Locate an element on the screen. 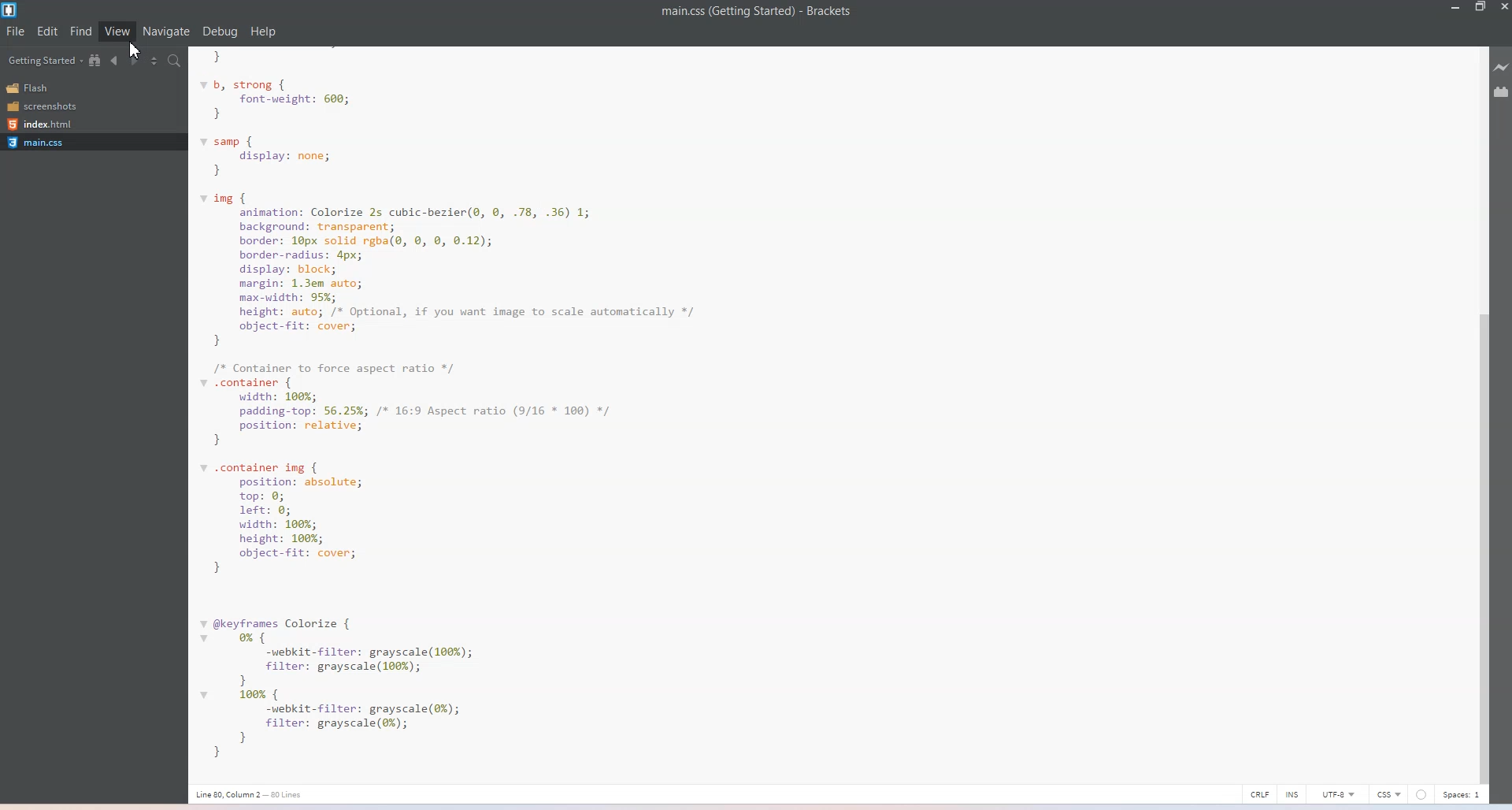 This screenshot has height=810, width=1512. Text 2 is located at coordinates (494, 411).